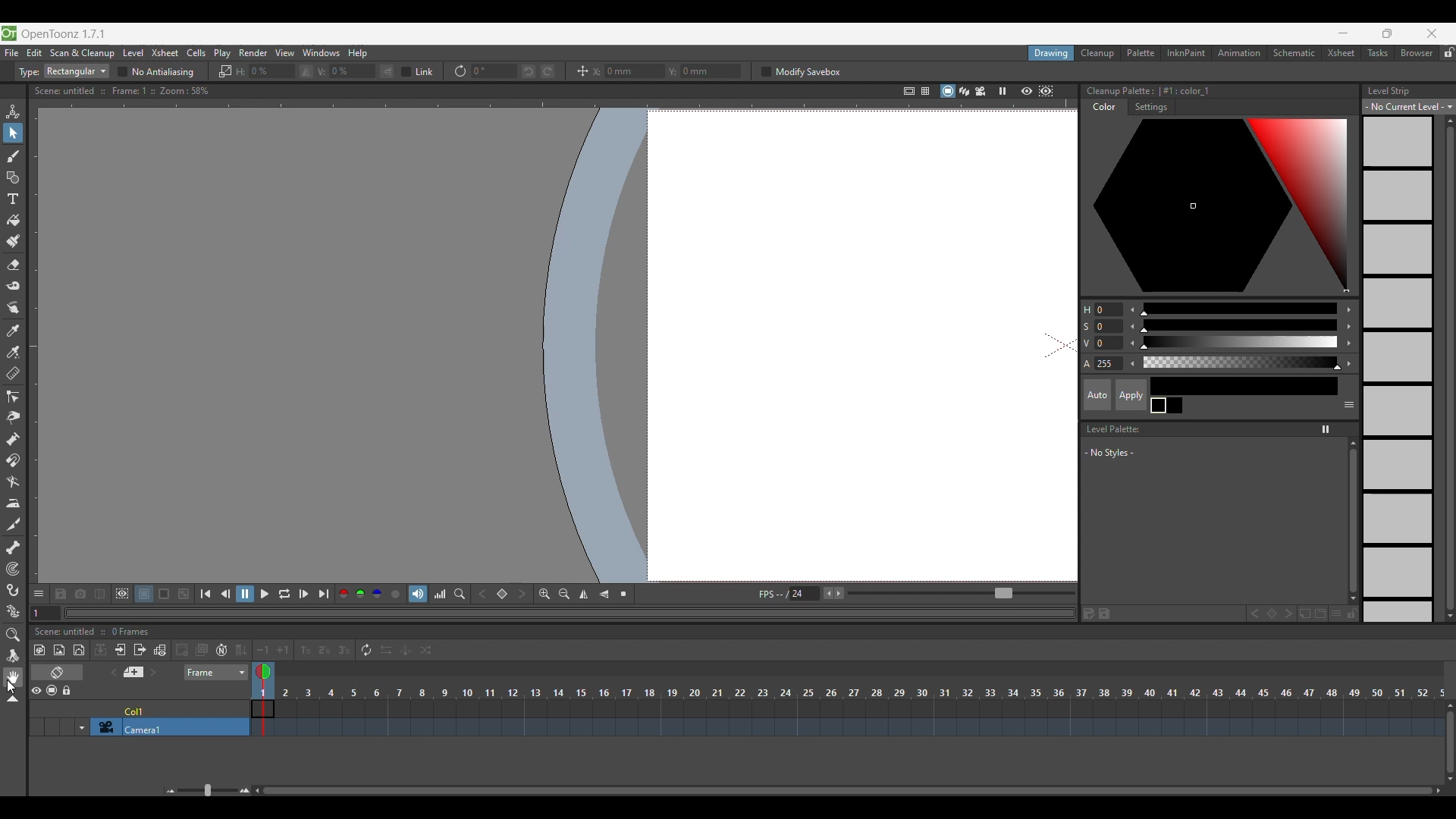 The width and height of the screenshot is (1456, 819). Describe the element at coordinates (965, 91) in the screenshot. I see `3D view` at that location.